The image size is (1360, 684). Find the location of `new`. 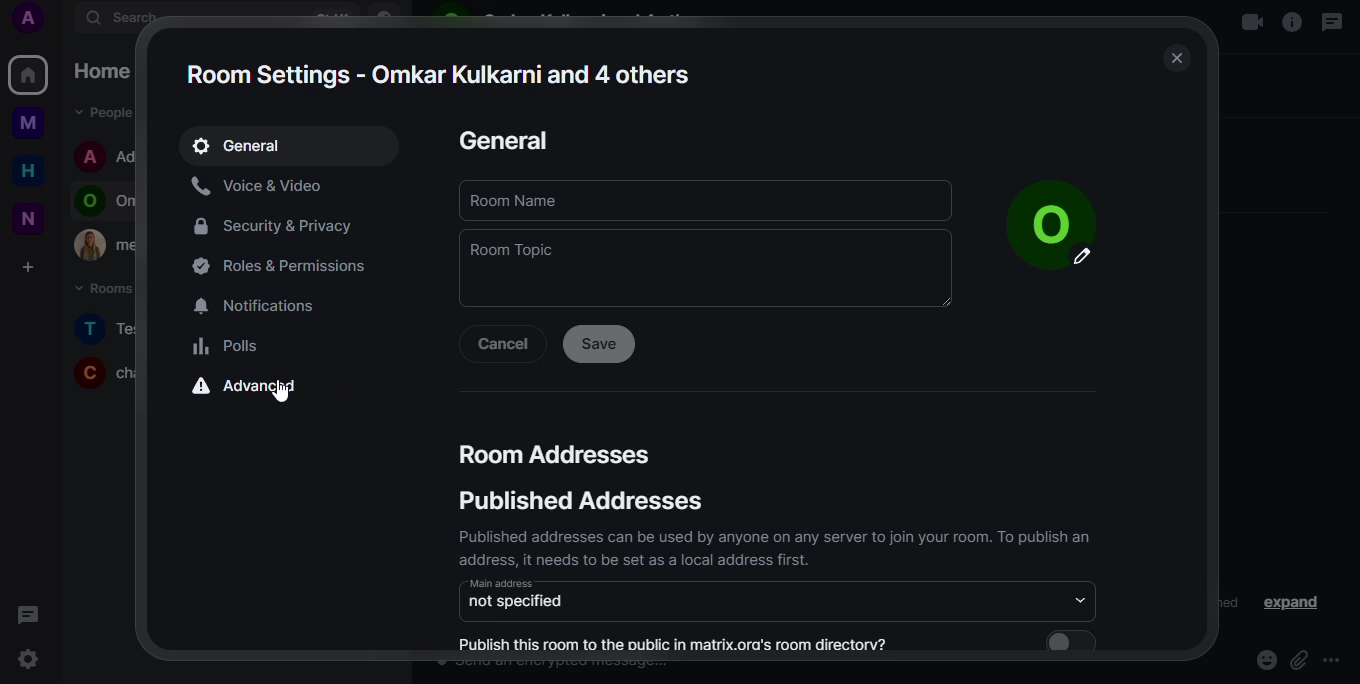

new is located at coordinates (29, 217).